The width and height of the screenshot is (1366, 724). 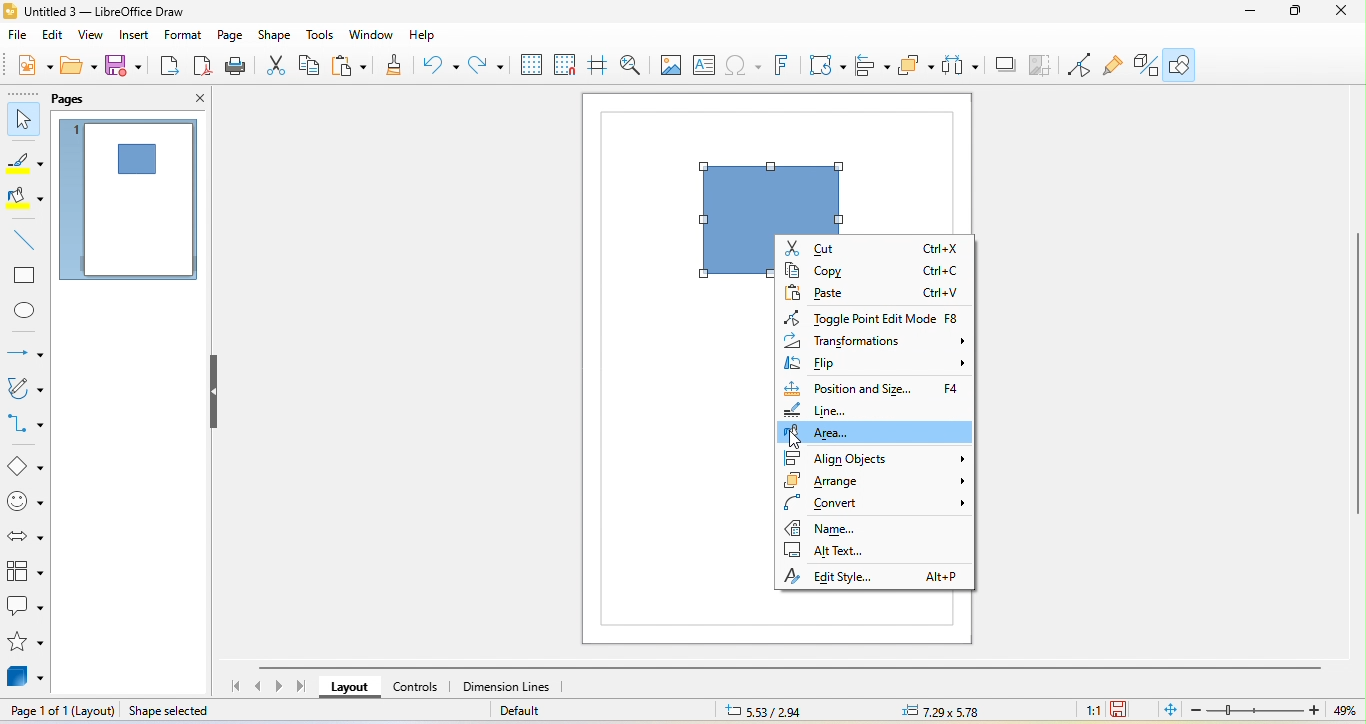 What do you see at coordinates (959, 67) in the screenshot?
I see `select at least three object to distribute` at bounding box center [959, 67].